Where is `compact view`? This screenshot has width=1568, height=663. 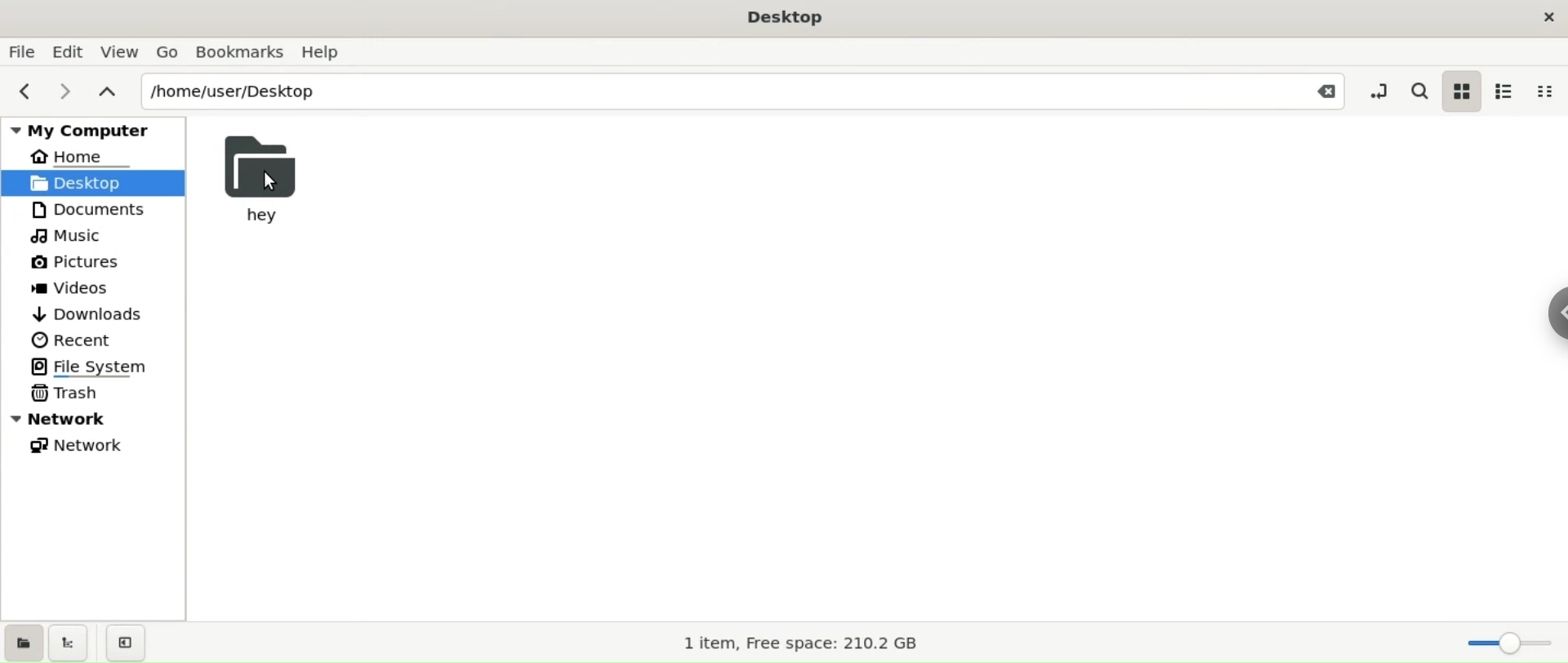
compact view is located at coordinates (1543, 91).